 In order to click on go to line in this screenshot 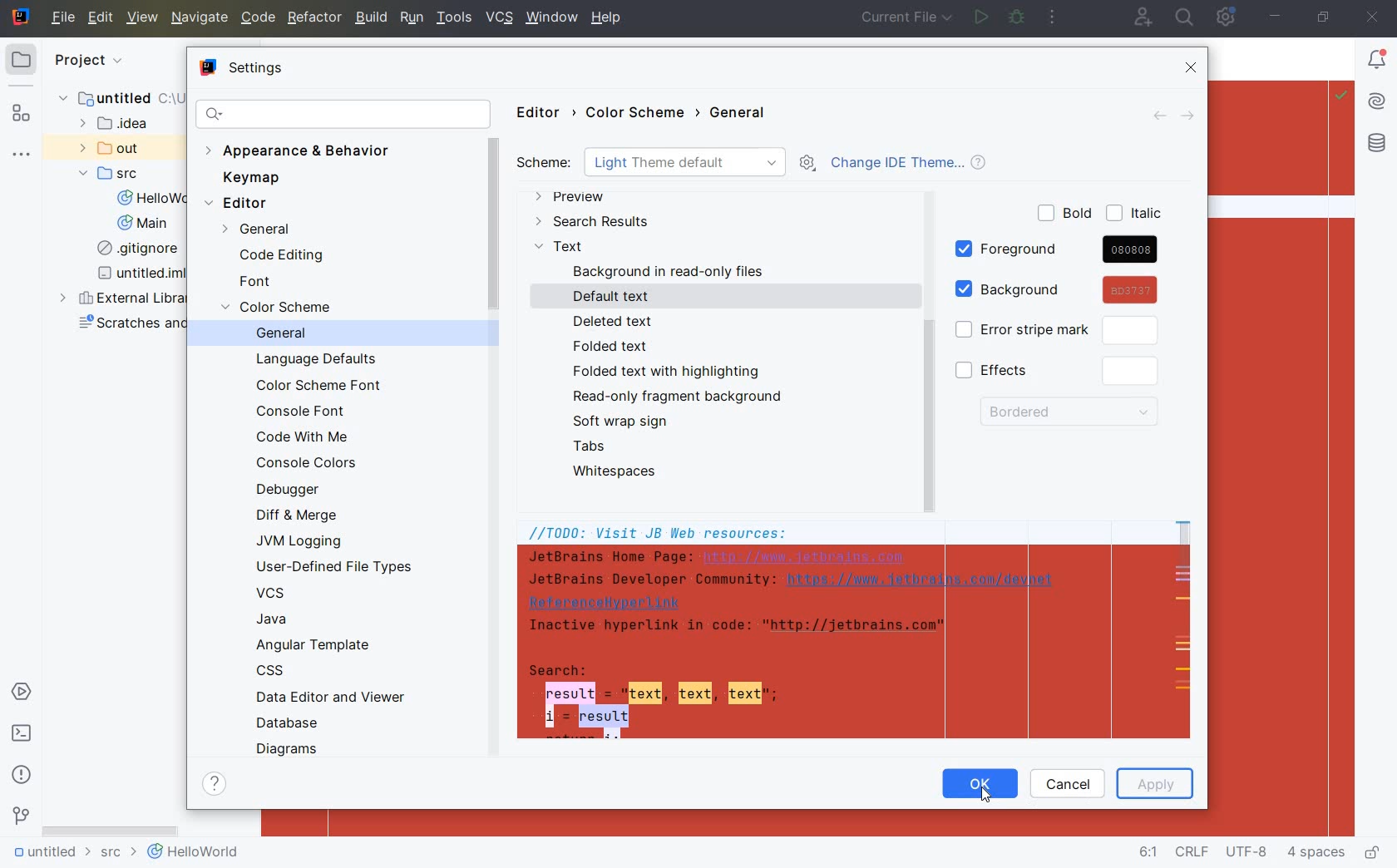, I will do `click(1147, 853)`.